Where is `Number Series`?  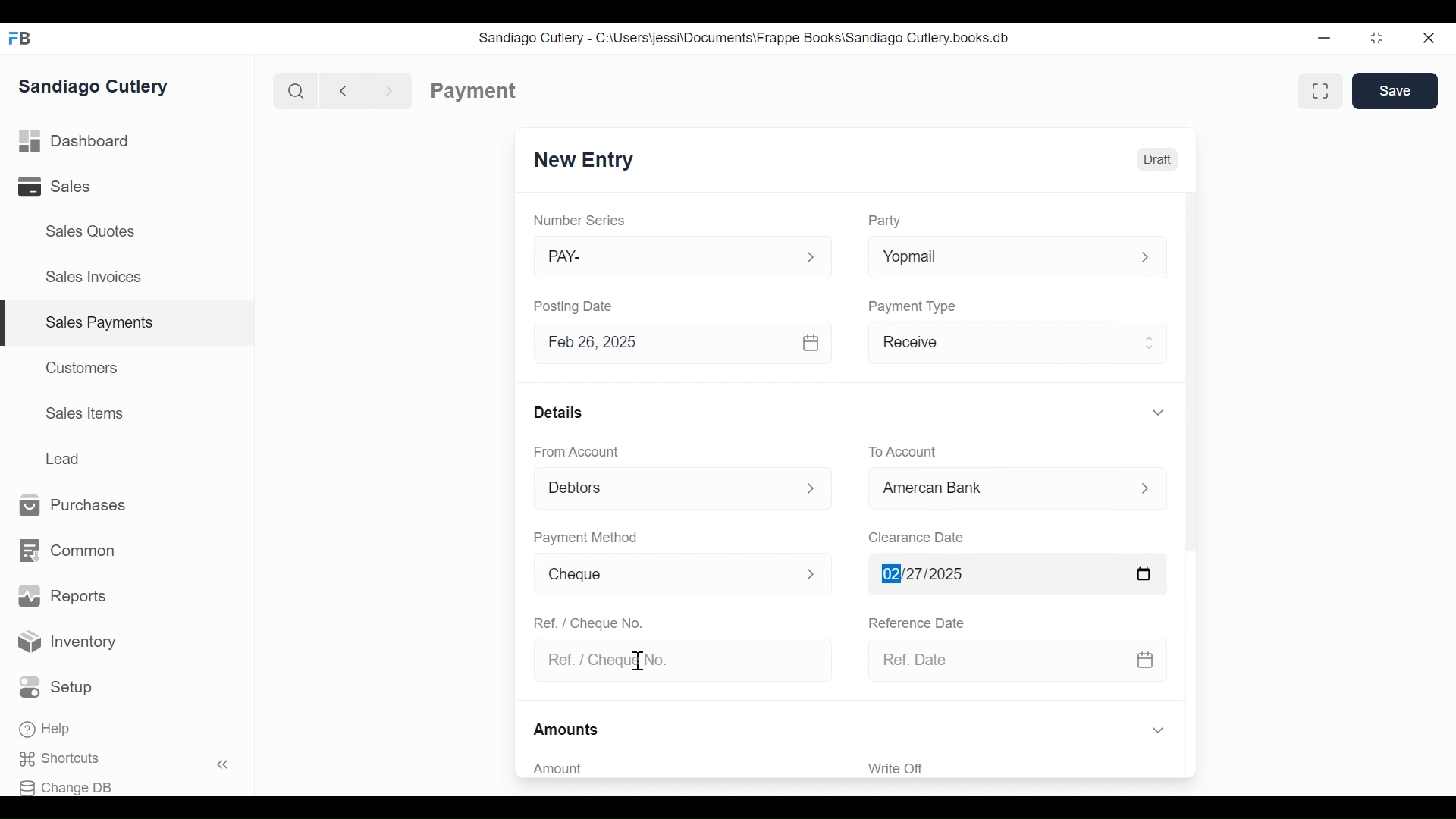
Number Series is located at coordinates (581, 221).